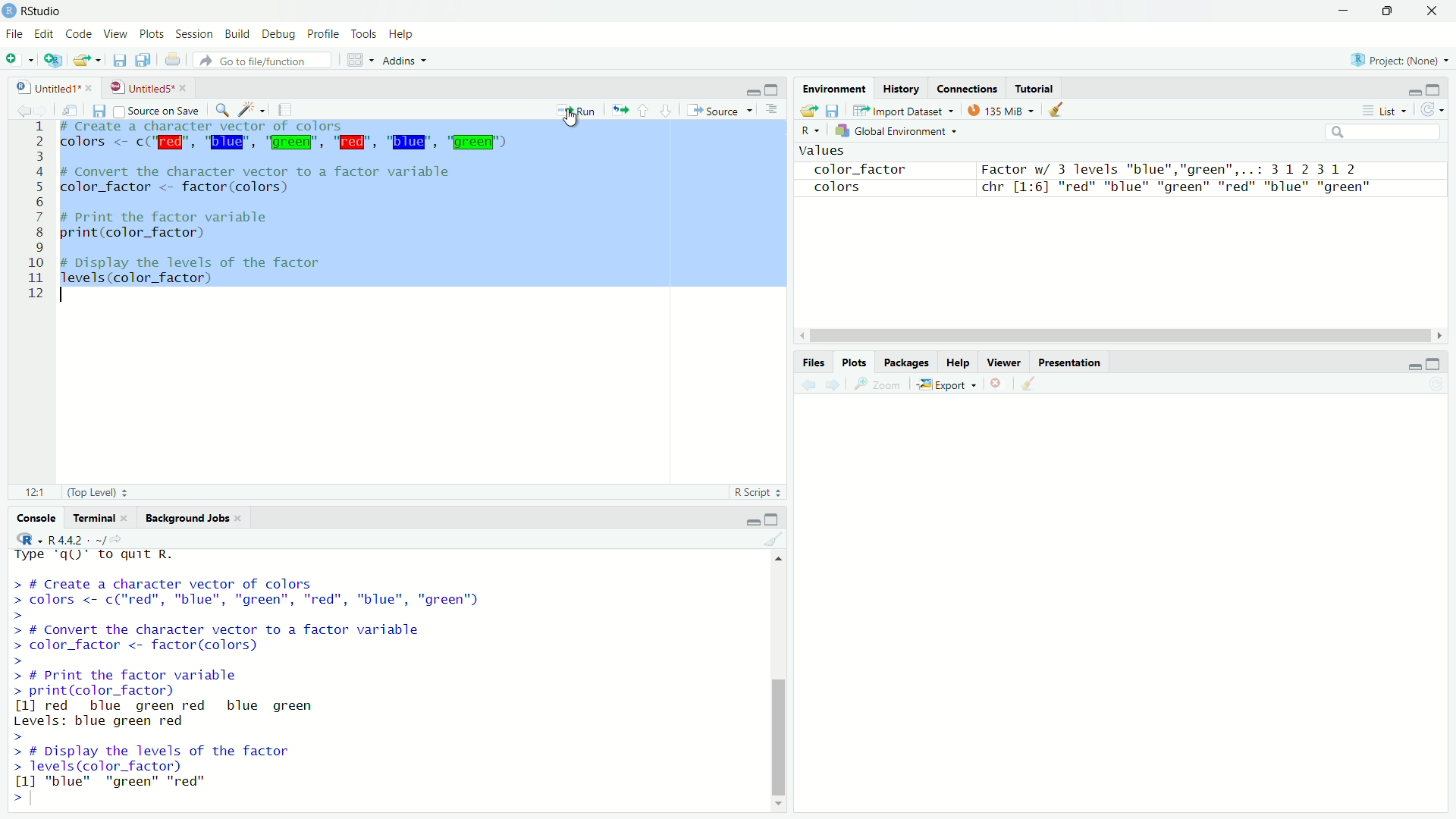 The width and height of the screenshot is (1456, 819). I want to click on R 4.4.2 . ~/, so click(77, 541).